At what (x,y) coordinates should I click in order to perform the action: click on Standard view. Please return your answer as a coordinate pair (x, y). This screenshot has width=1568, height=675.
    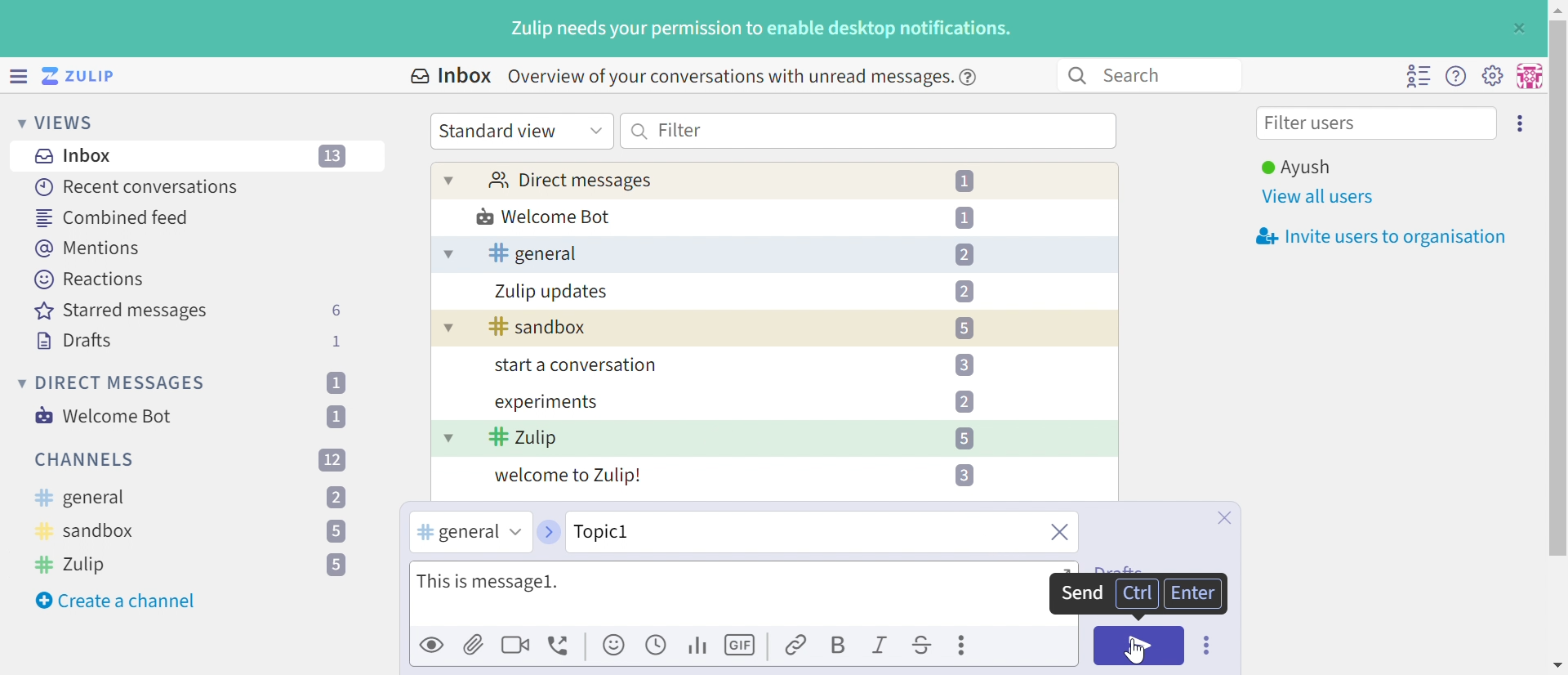
    Looking at the image, I should click on (501, 131).